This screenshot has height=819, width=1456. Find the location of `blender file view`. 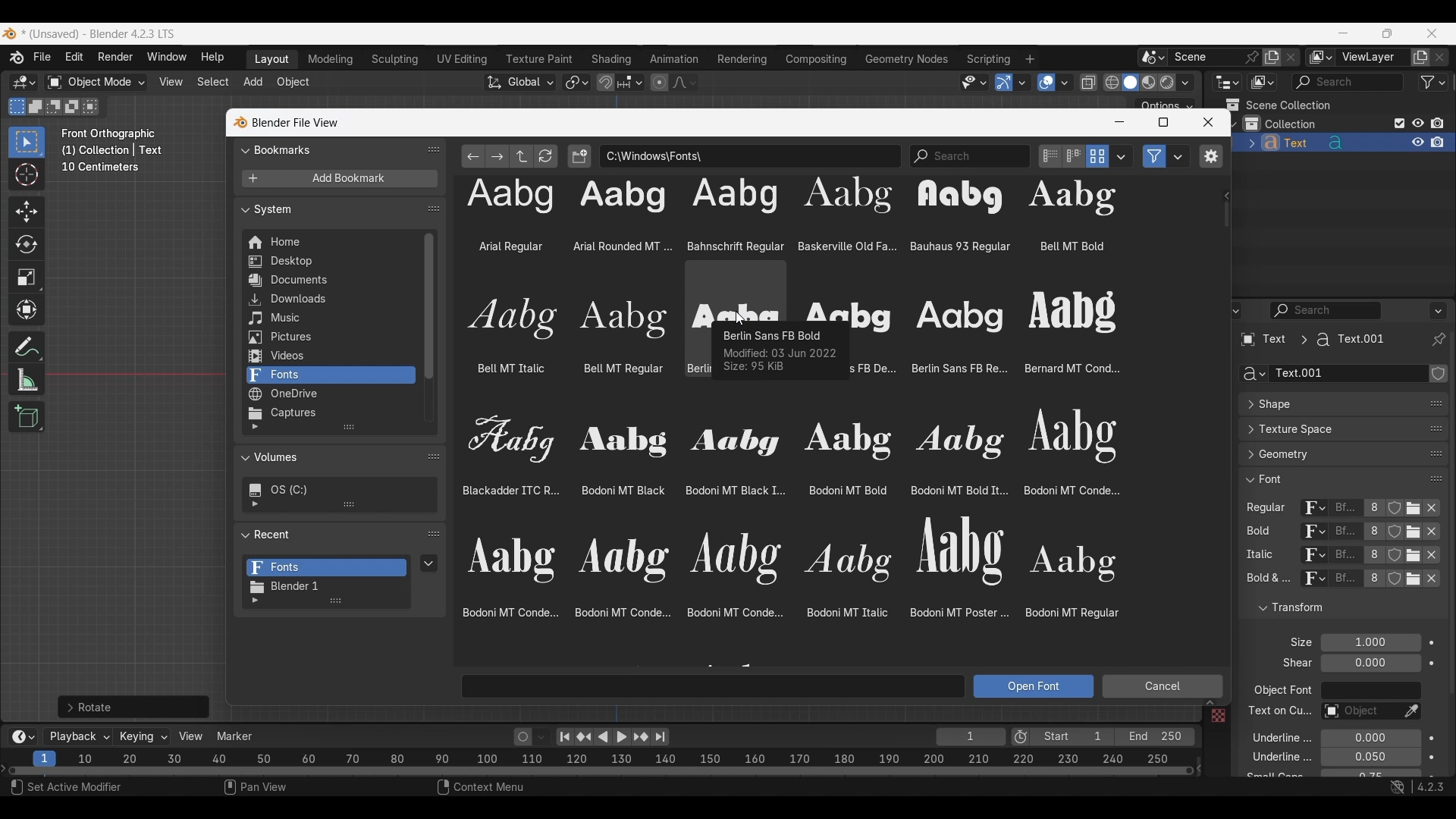

blender file view is located at coordinates (293, 122).